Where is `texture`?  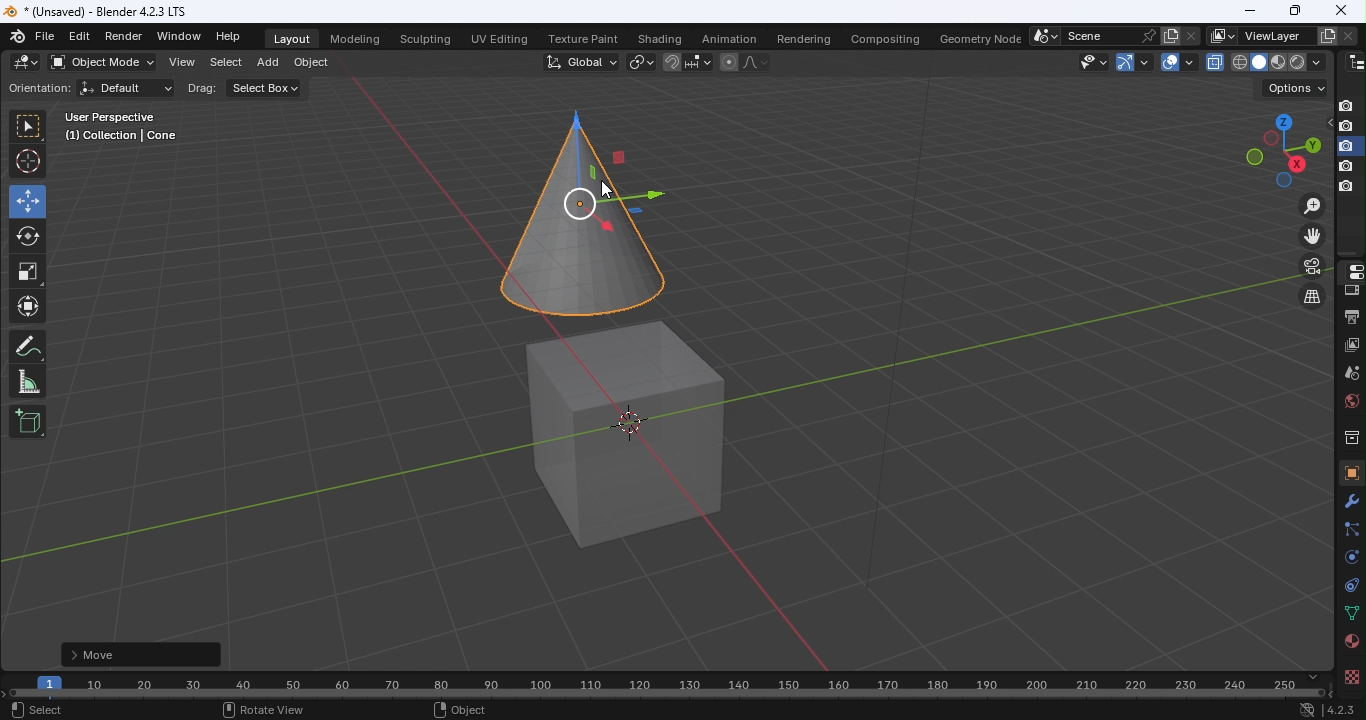
texture is located at coordinates (1350, 676).